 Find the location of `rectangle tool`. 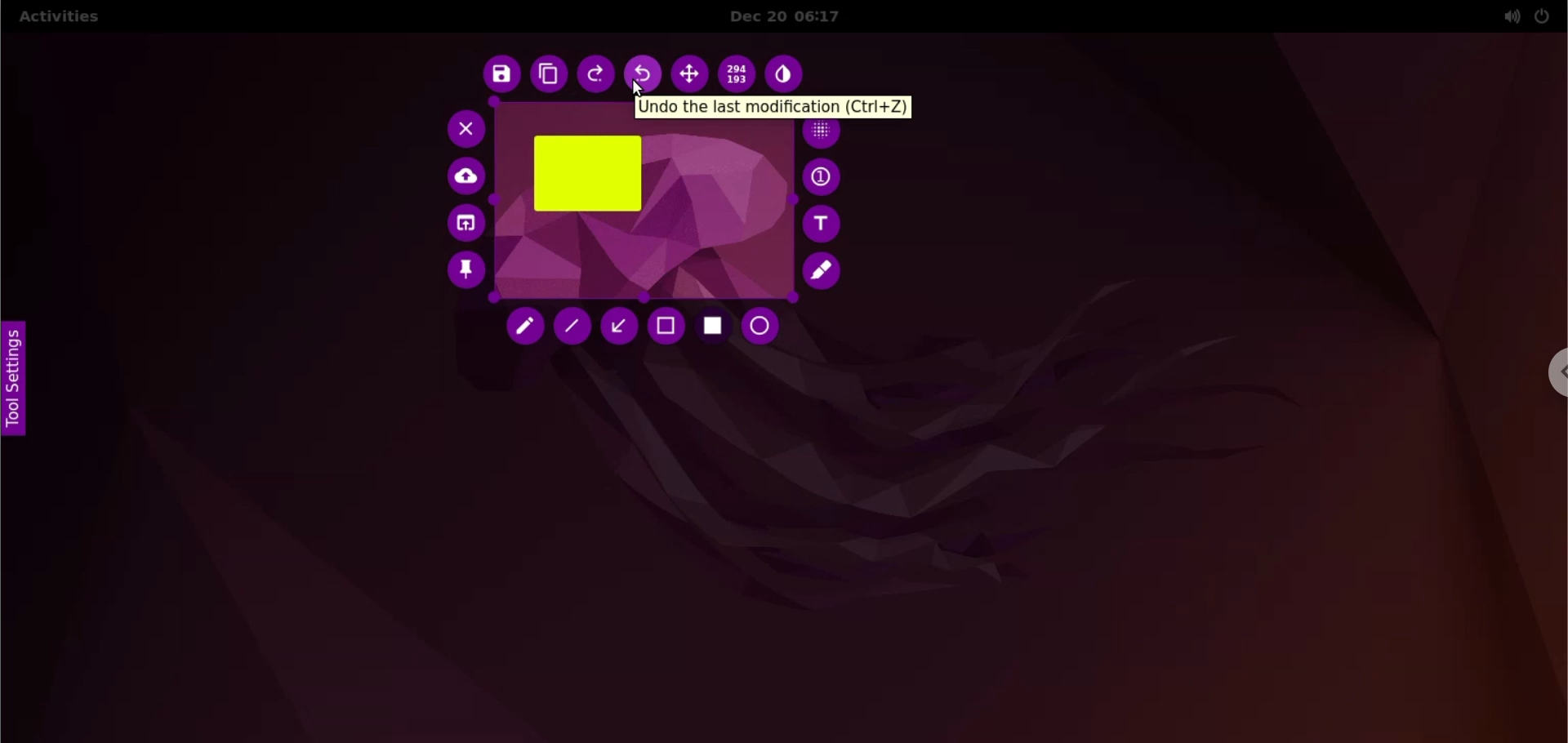

rectangle tool is located at coordinates (714, 328).